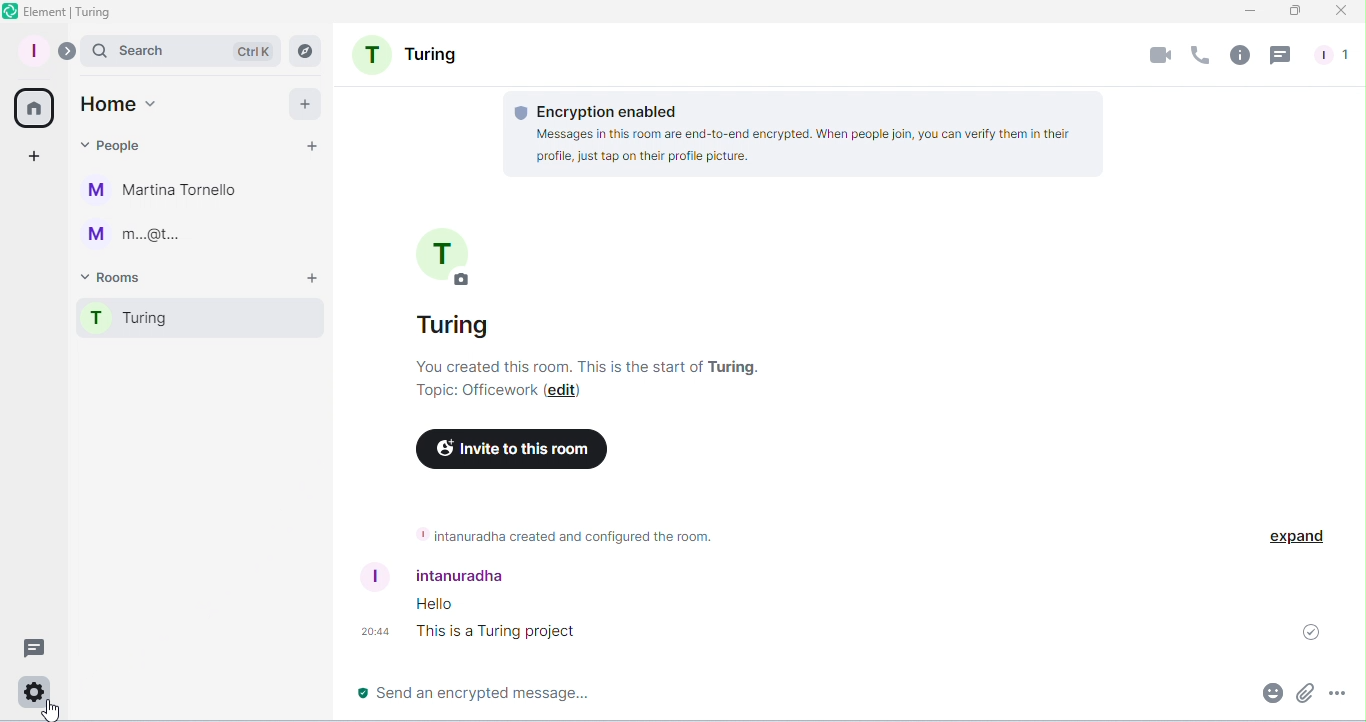  I want to click on Threads, so click(30, 645).